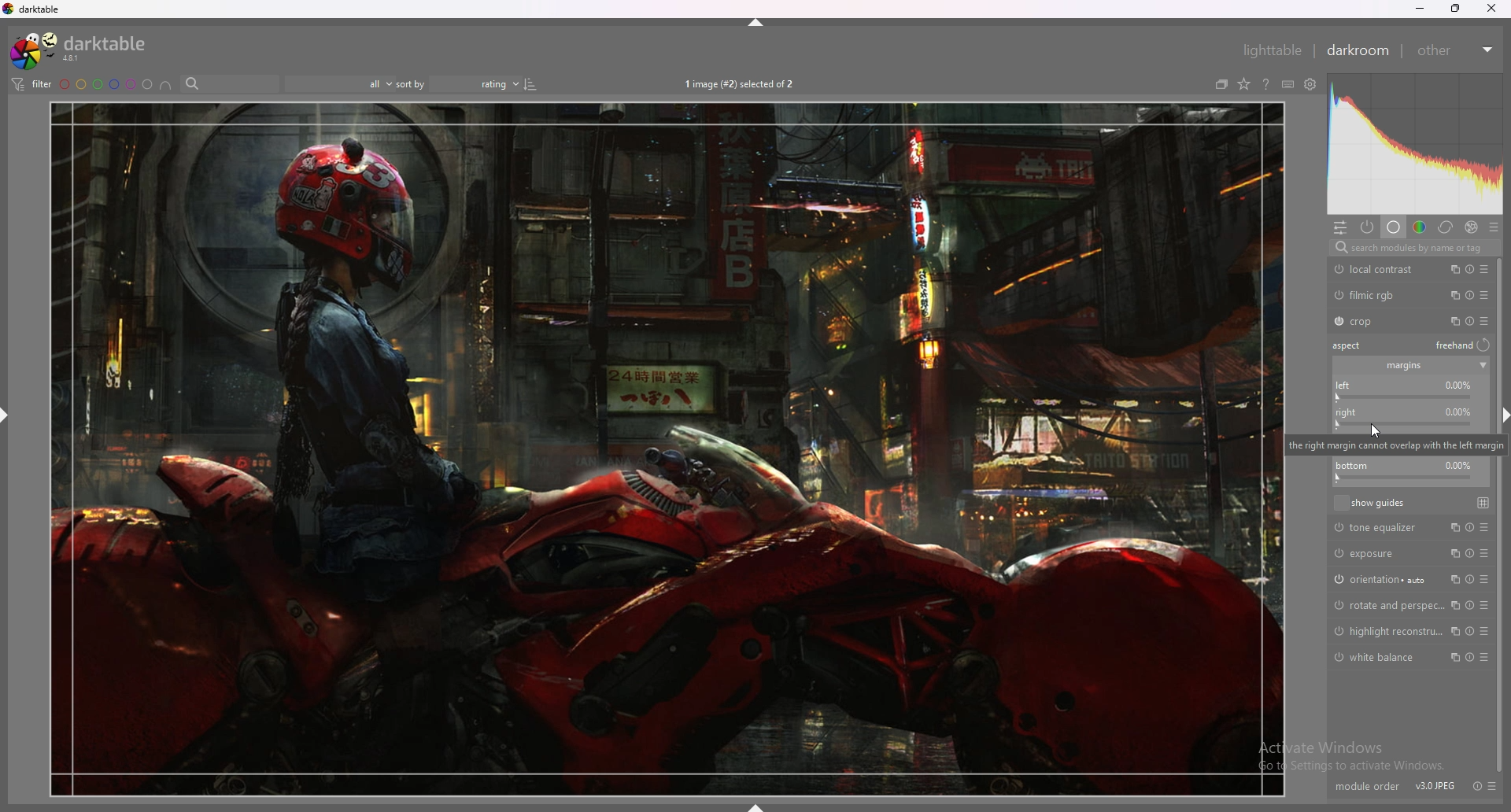  What do you see at coordinates (741, 83) in the screenshot?
I see `1 image (#2) selected of 2` at bounding box center [741, 83].